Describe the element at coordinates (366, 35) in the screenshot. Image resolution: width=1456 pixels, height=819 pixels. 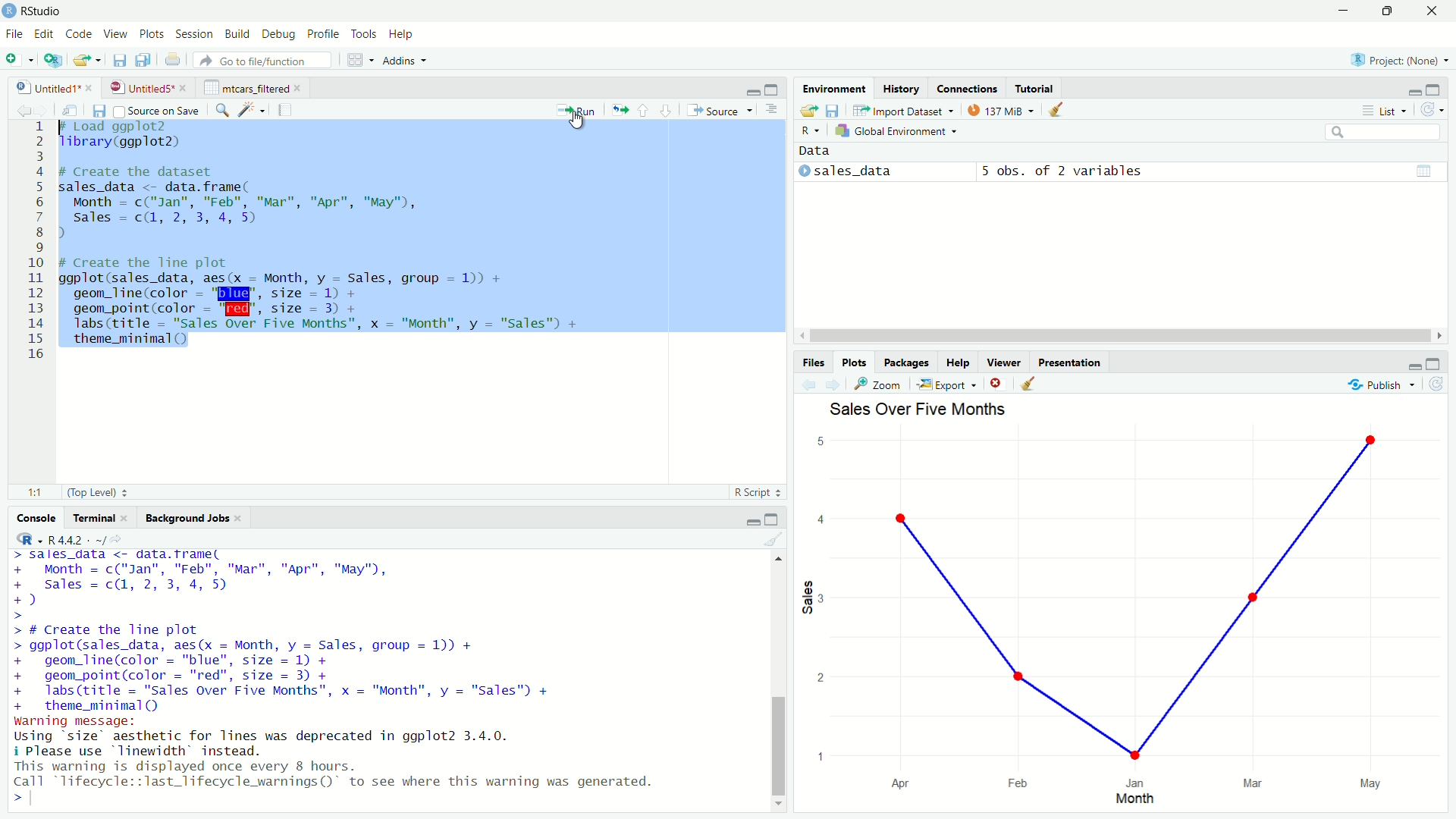
I see `tools` at that location.